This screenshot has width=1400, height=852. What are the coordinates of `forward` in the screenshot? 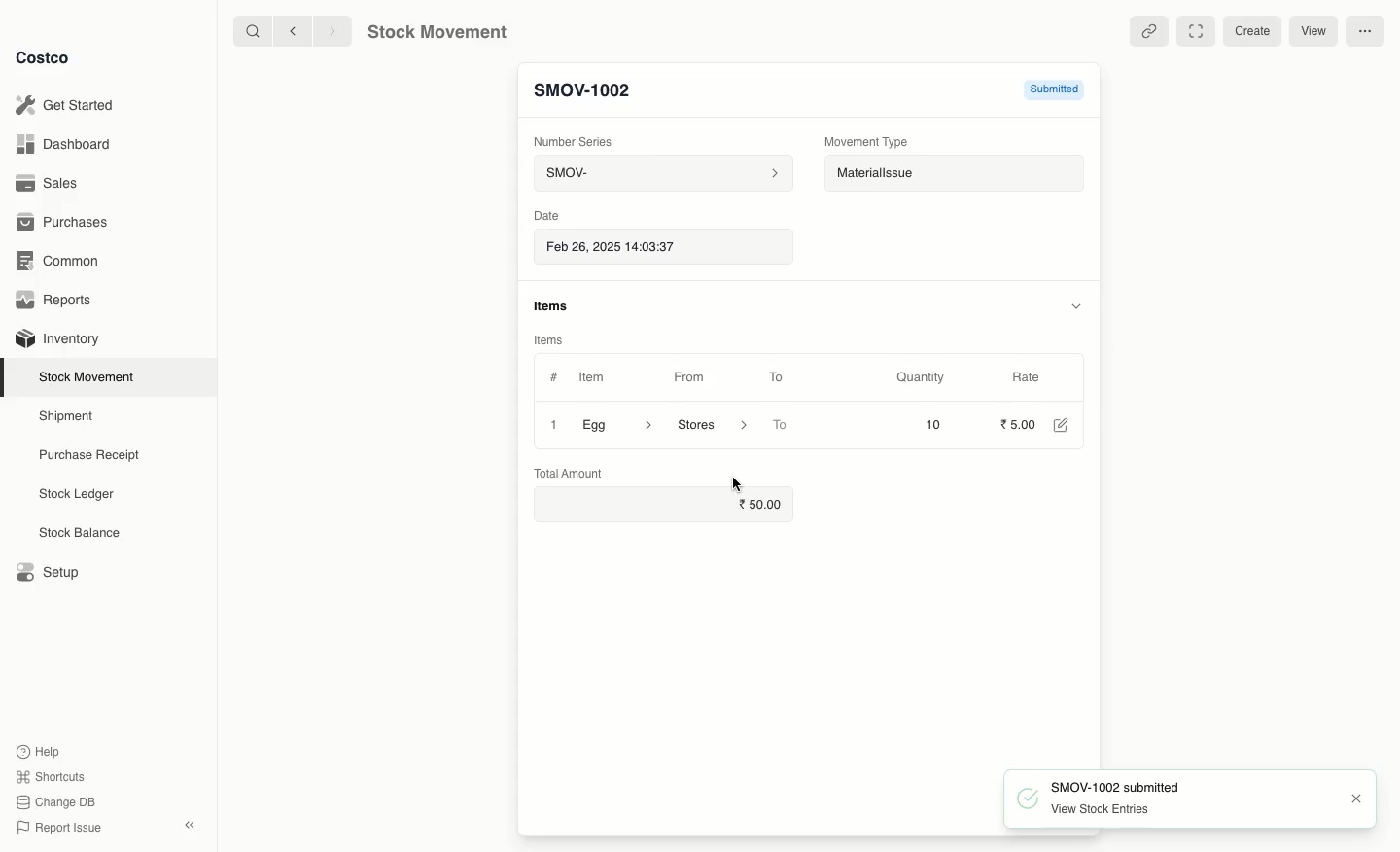 It's located at (328, 30).